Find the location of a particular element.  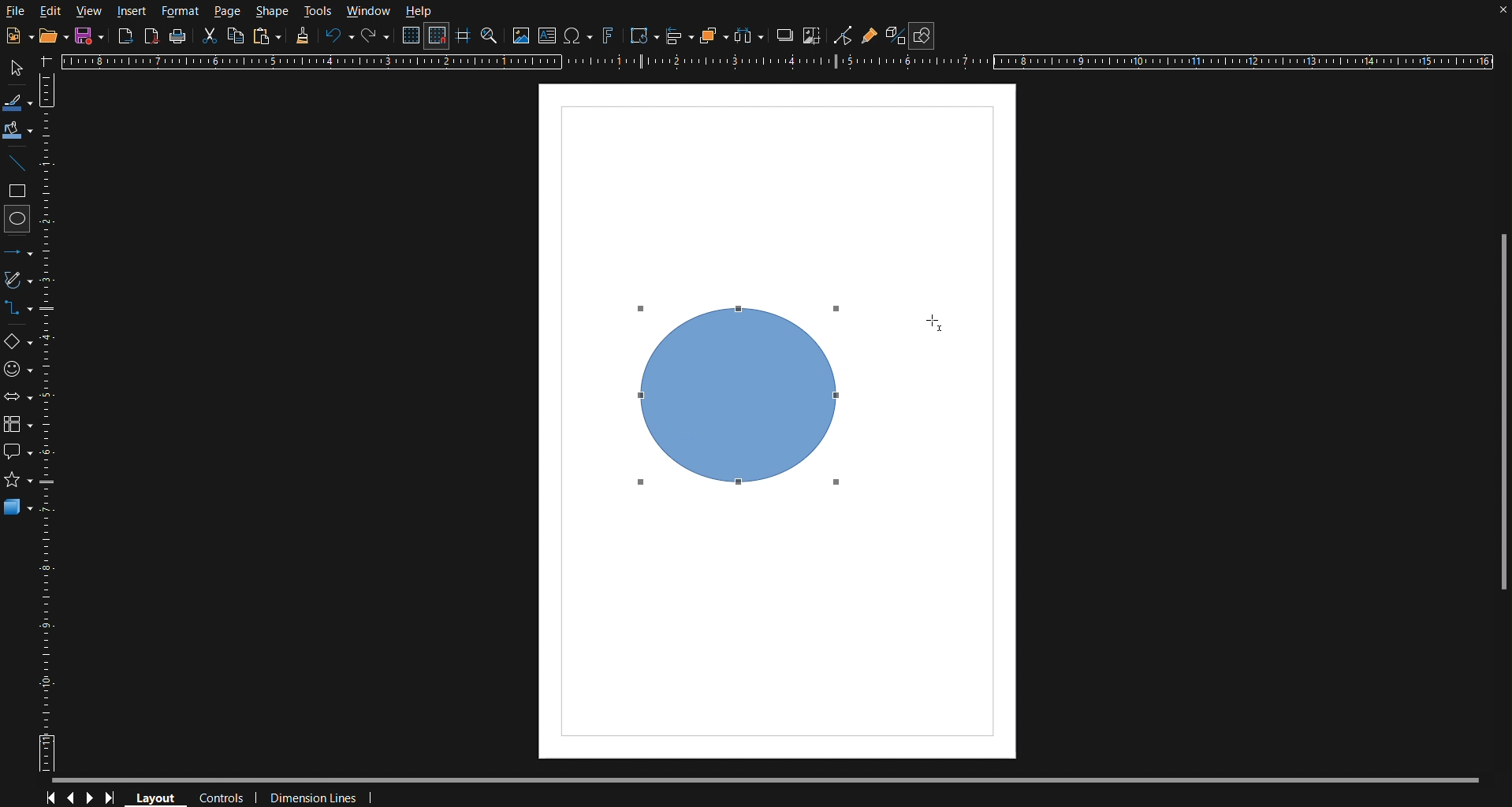

Copy is located at coordinates (236, 35).